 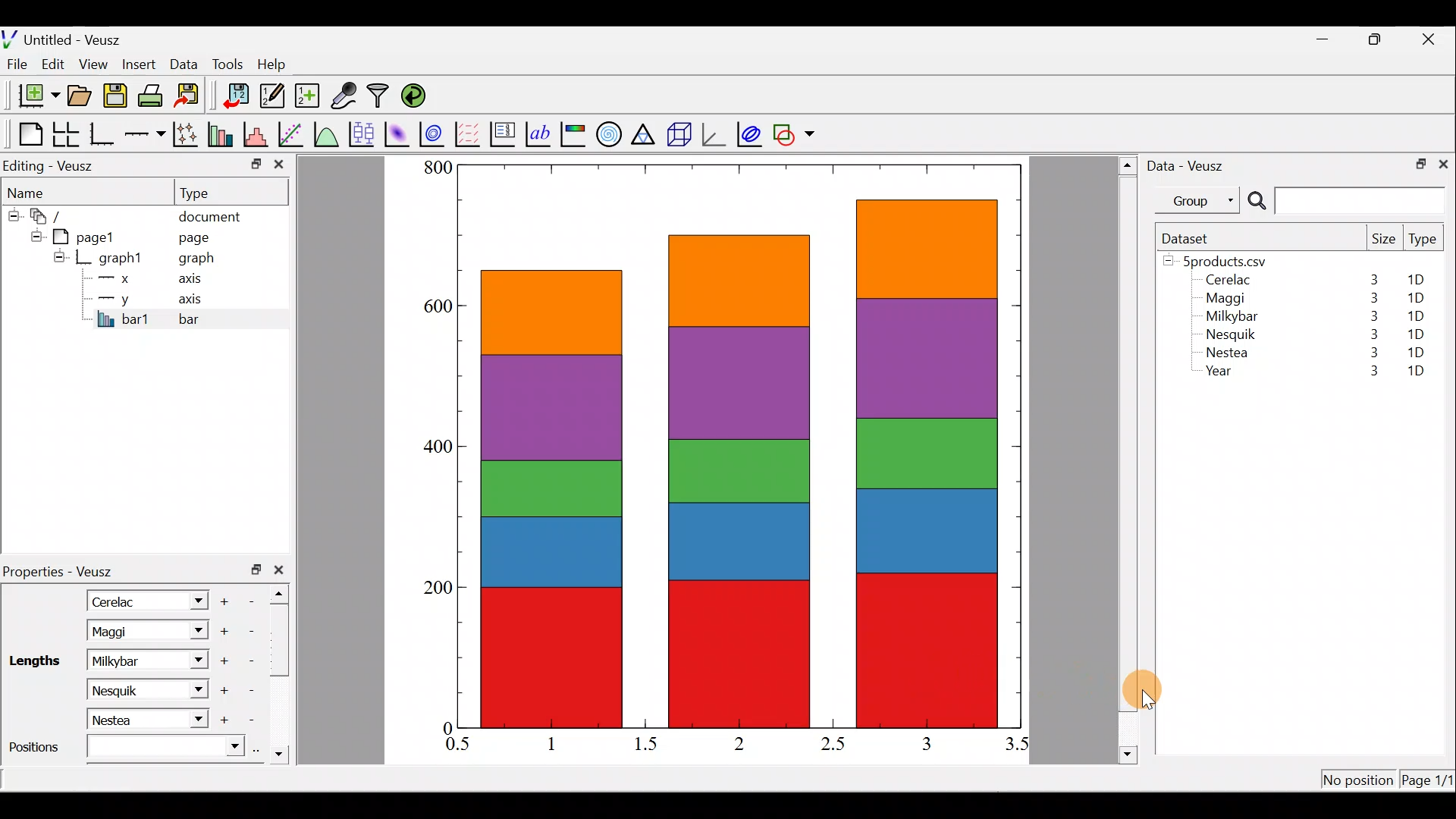 I want to click on File, so click(x=14, y=64).